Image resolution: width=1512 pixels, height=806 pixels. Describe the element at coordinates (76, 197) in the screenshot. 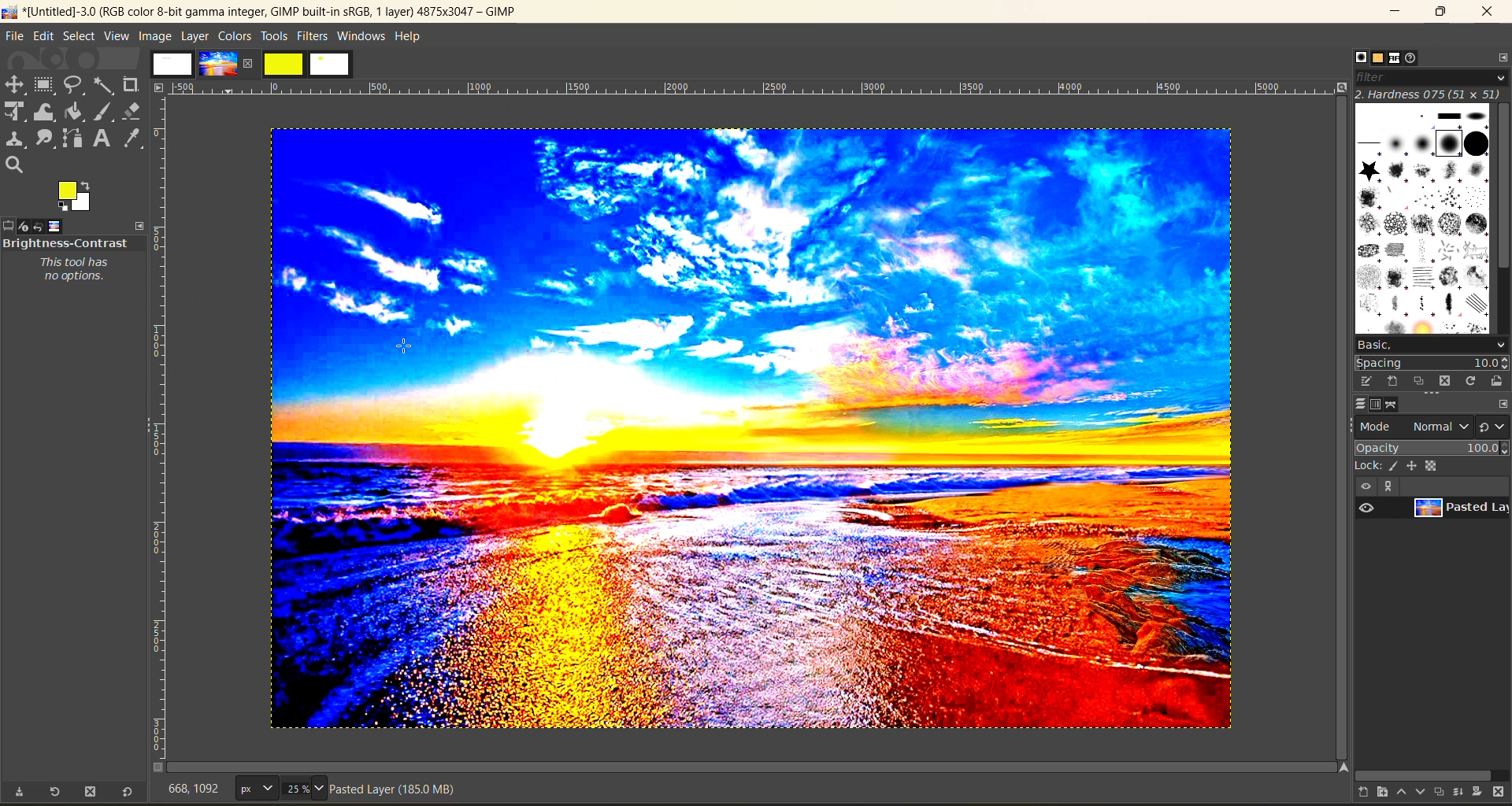

I see `active foreground and background color` at that location.